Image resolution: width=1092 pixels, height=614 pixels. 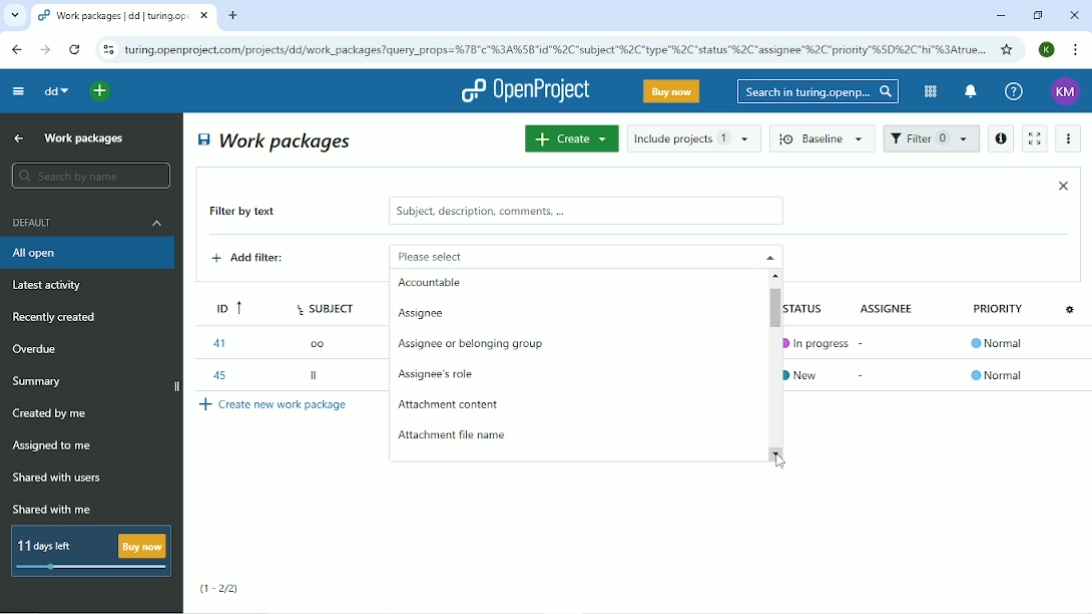 I want to click on Help, so click(x=1014, y=92).